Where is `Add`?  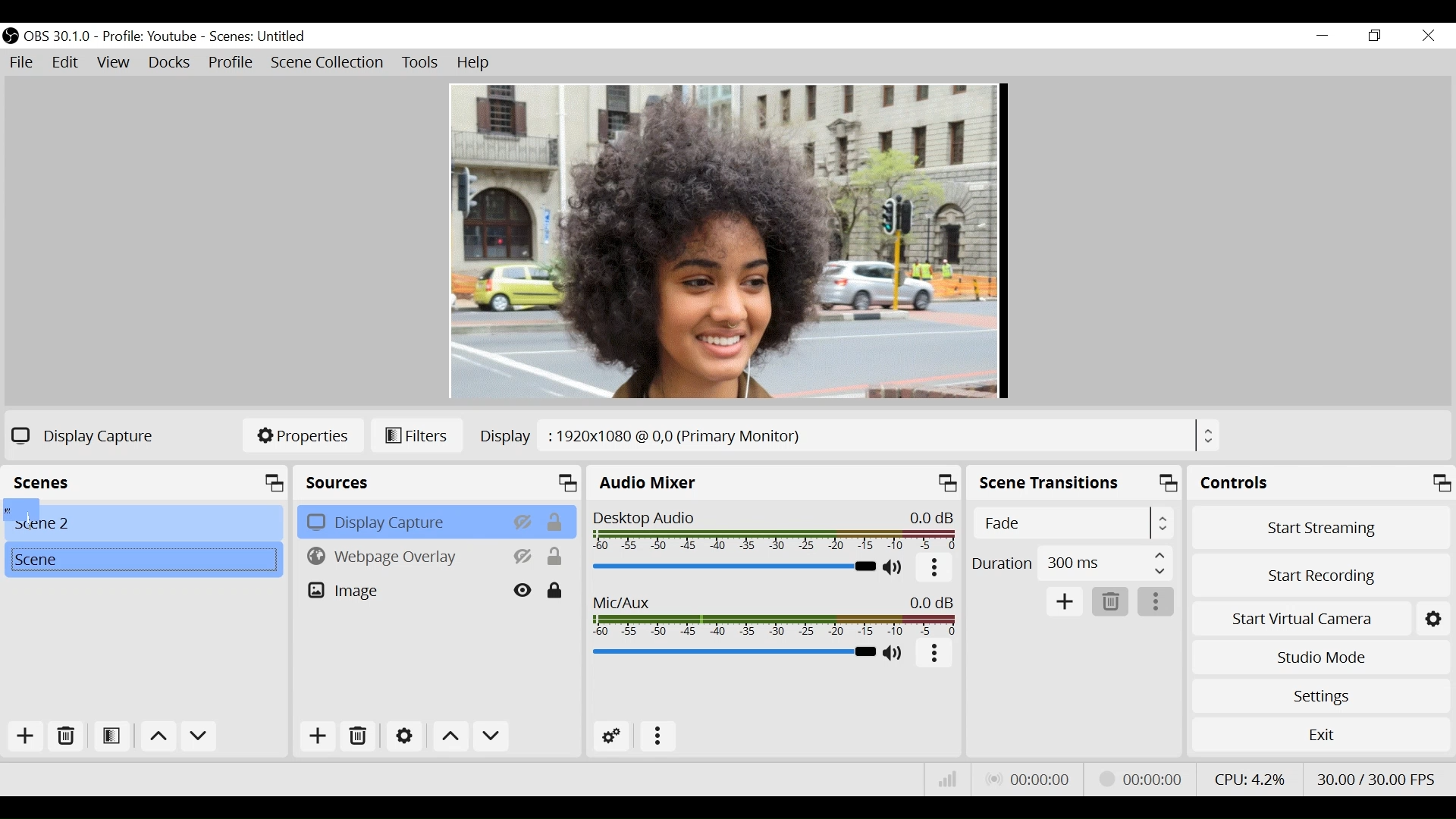
Add is located at coordinates (27, 736).